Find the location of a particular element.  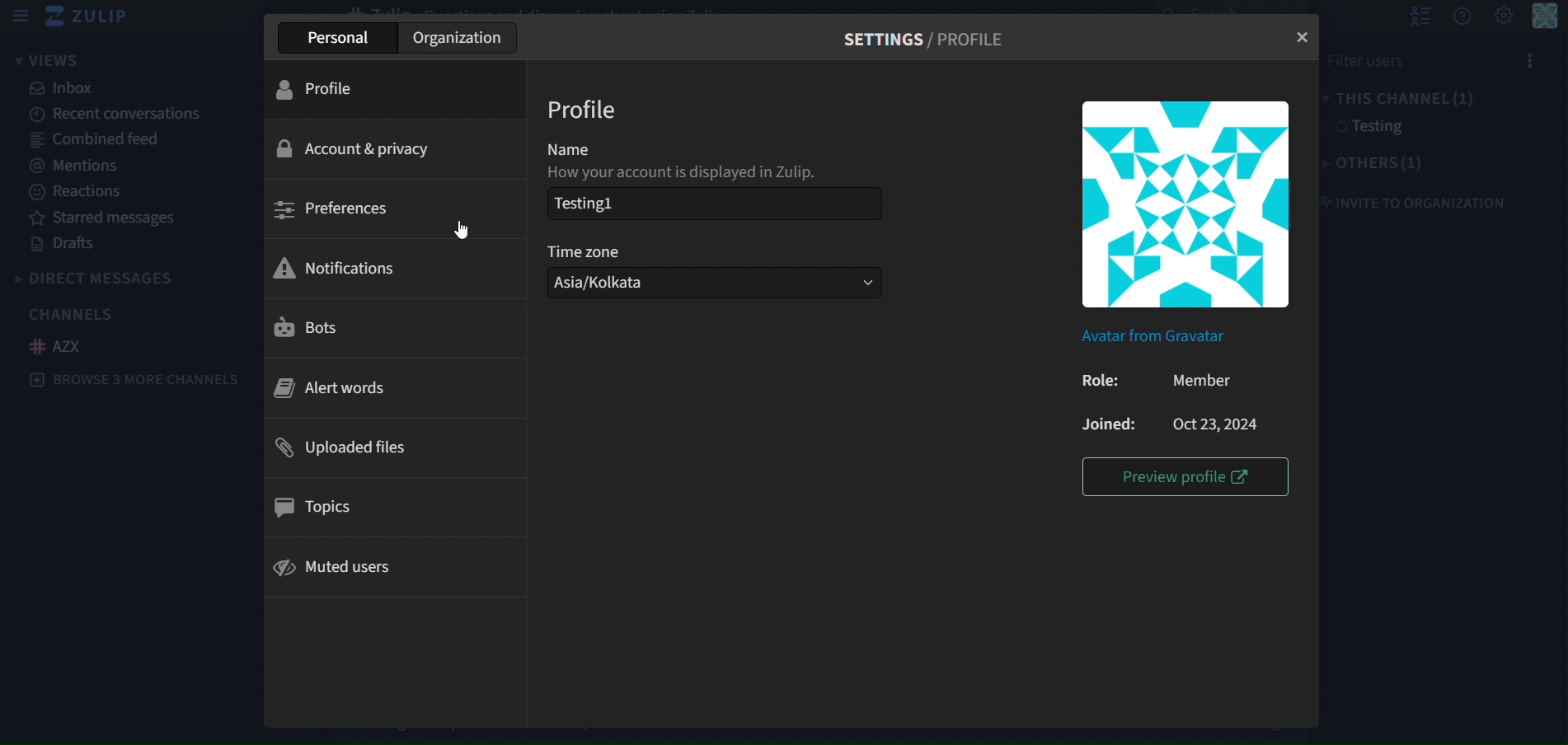

zulip is located at coordinates (89, 17).